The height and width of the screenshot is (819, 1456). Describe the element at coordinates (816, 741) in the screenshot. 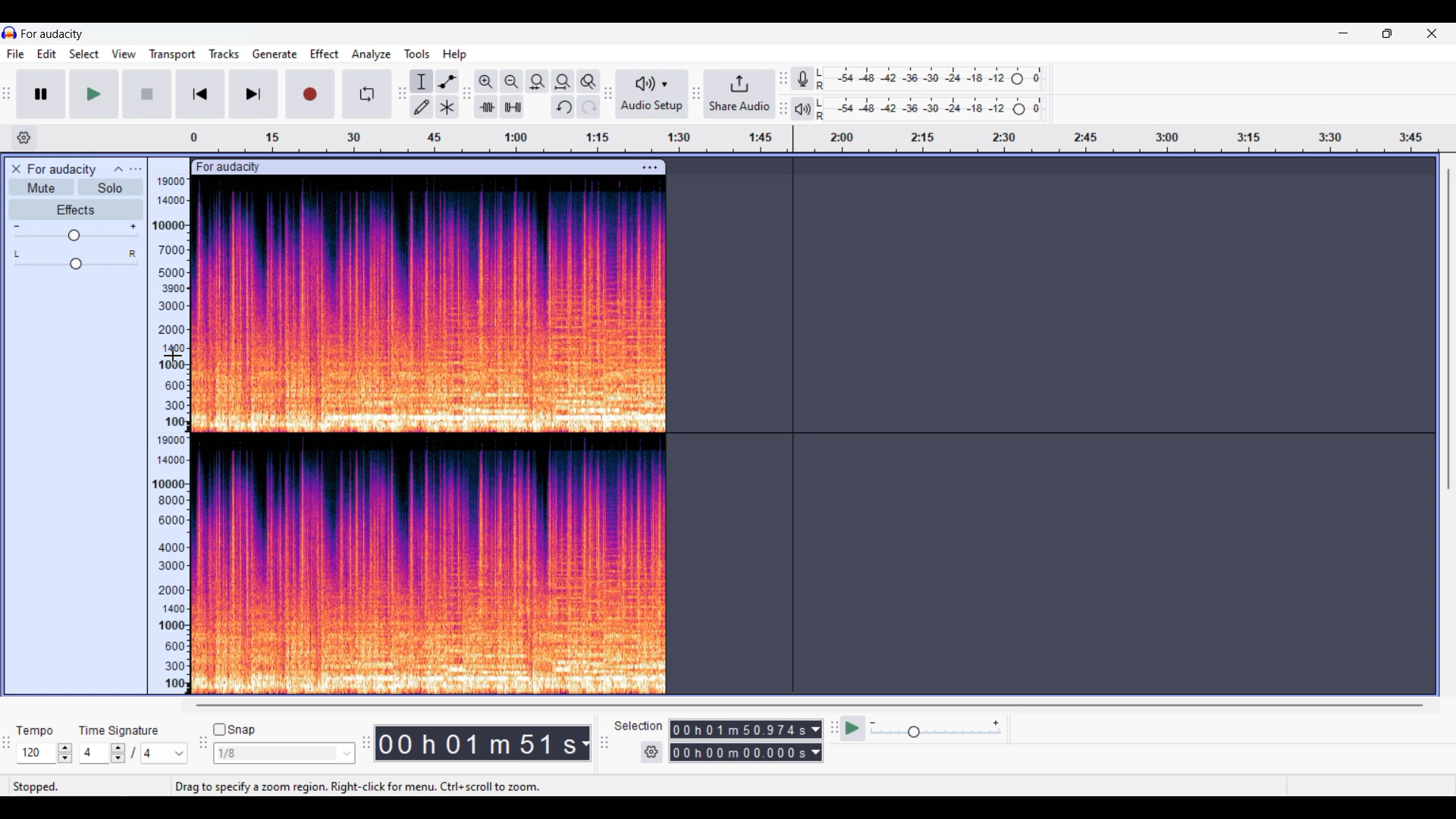

I see `Duration measurement options` at that location.